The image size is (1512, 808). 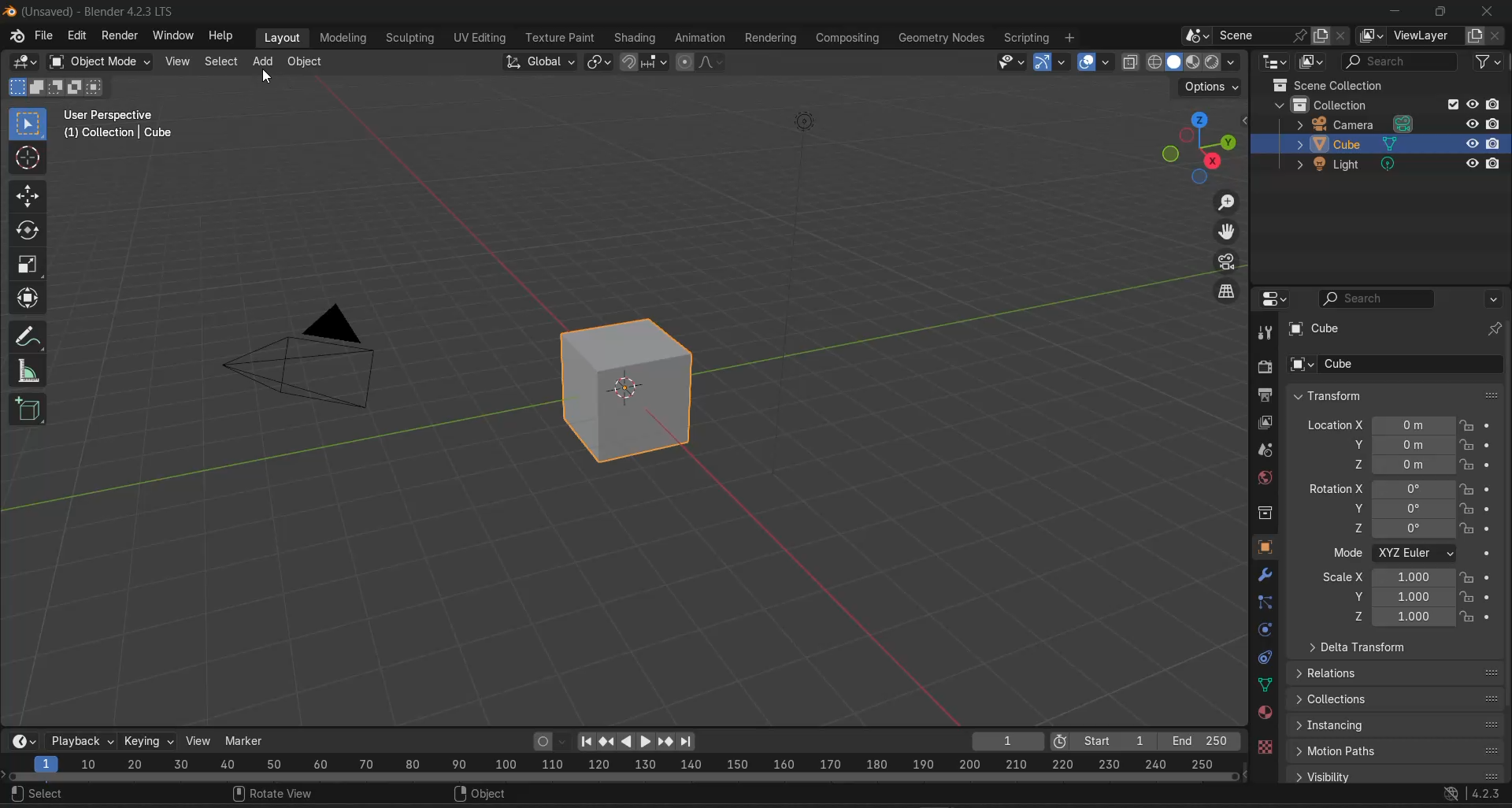 What do you see at coordinates (1397, 725) in the screenshot?
I see `instancing` at bounding box center [1397, 725].